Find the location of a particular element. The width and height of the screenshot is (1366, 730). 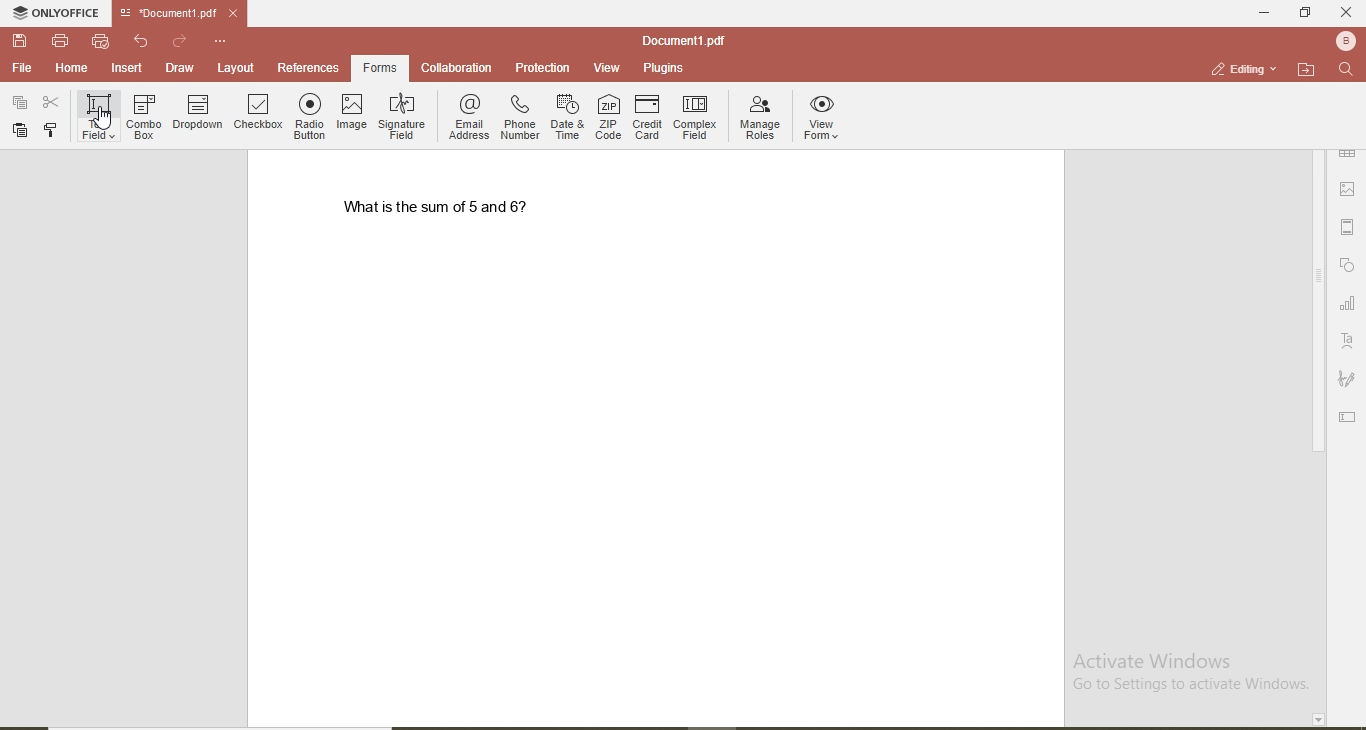

copy is located at coordinates (51, 130).